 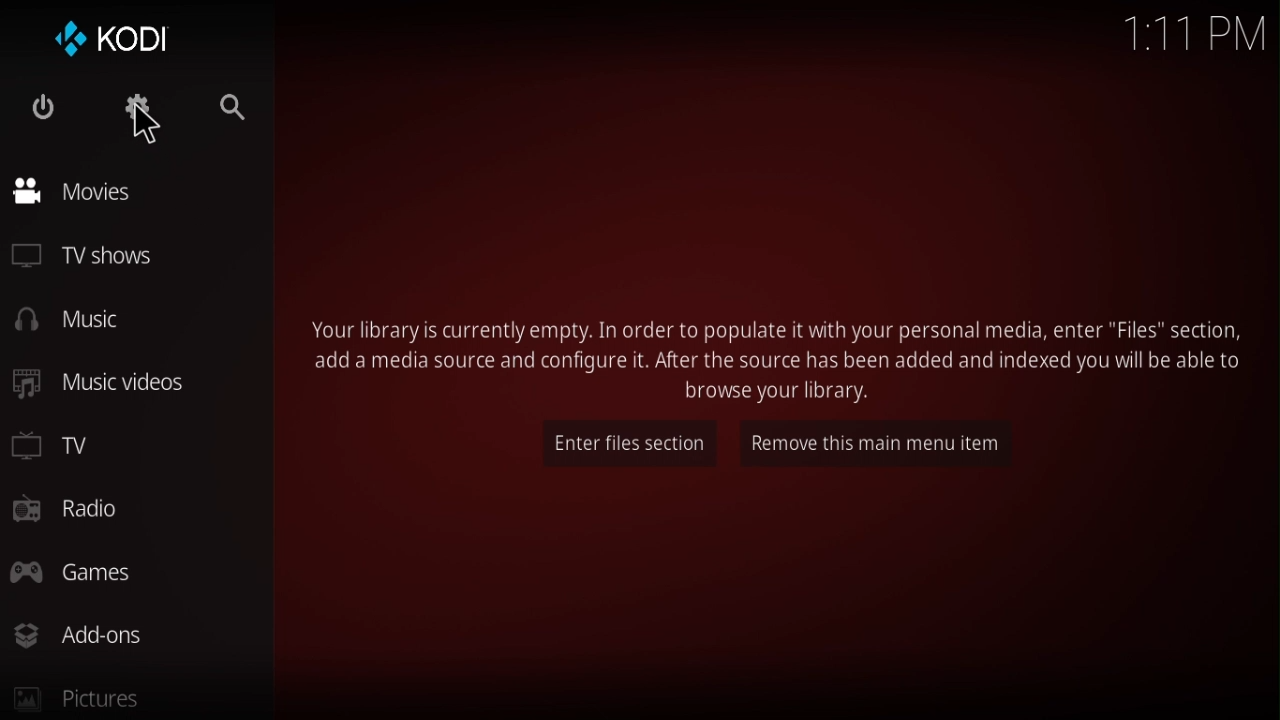 I want to click on remove the main item, so click(x=895, y=446).